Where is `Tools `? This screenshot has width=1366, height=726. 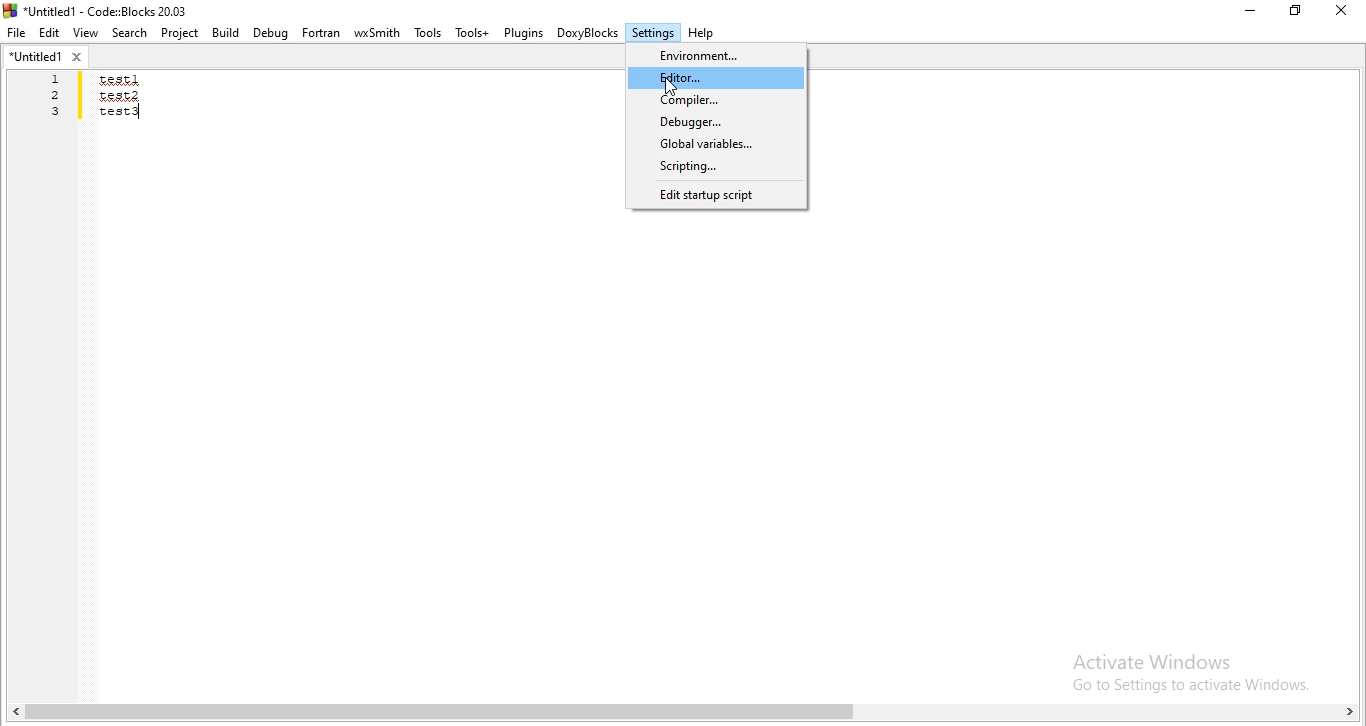 Tools  is located at coordinates (426, 34).